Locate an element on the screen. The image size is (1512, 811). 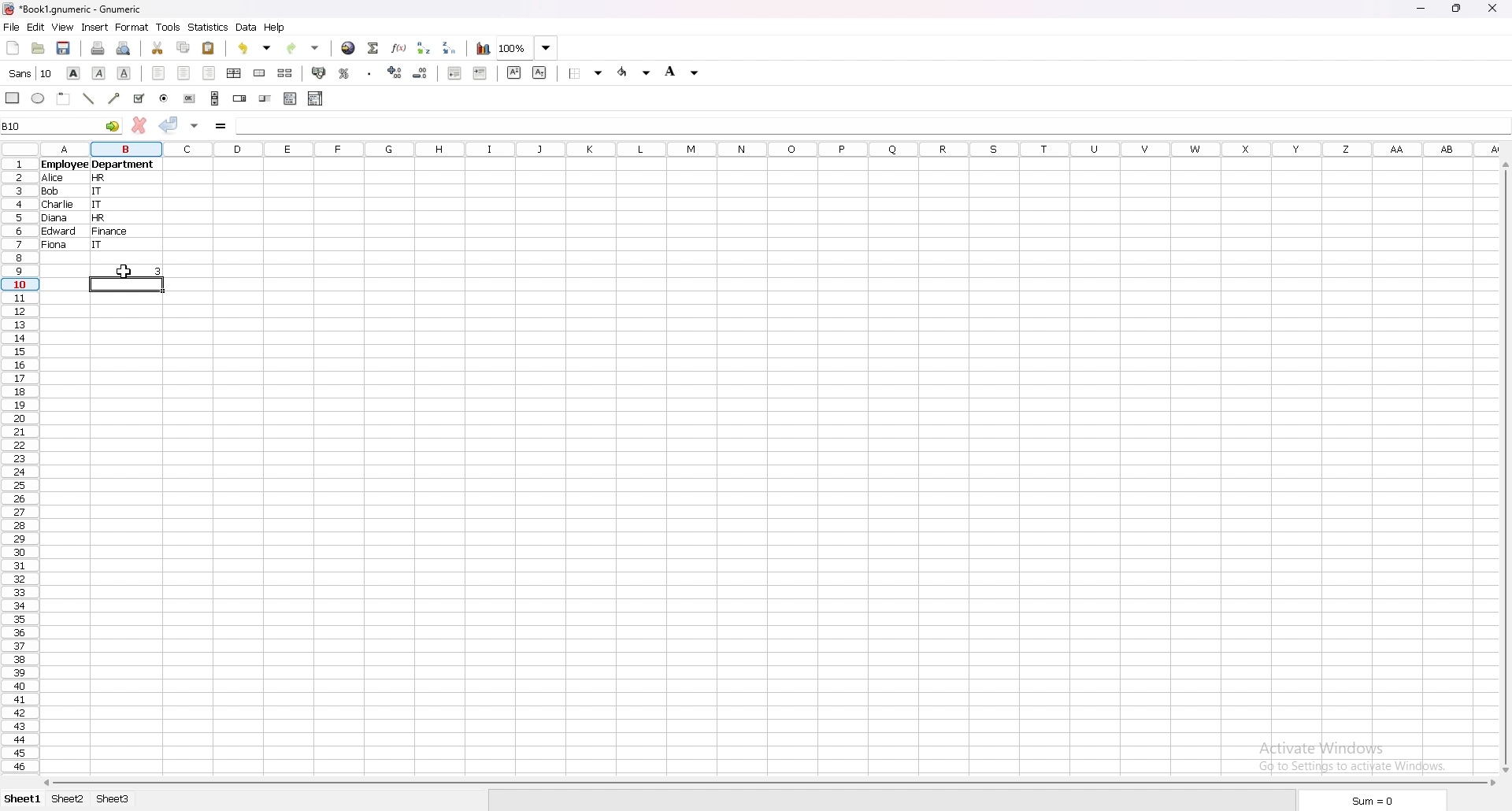
open is located at coordinates (37, 48).